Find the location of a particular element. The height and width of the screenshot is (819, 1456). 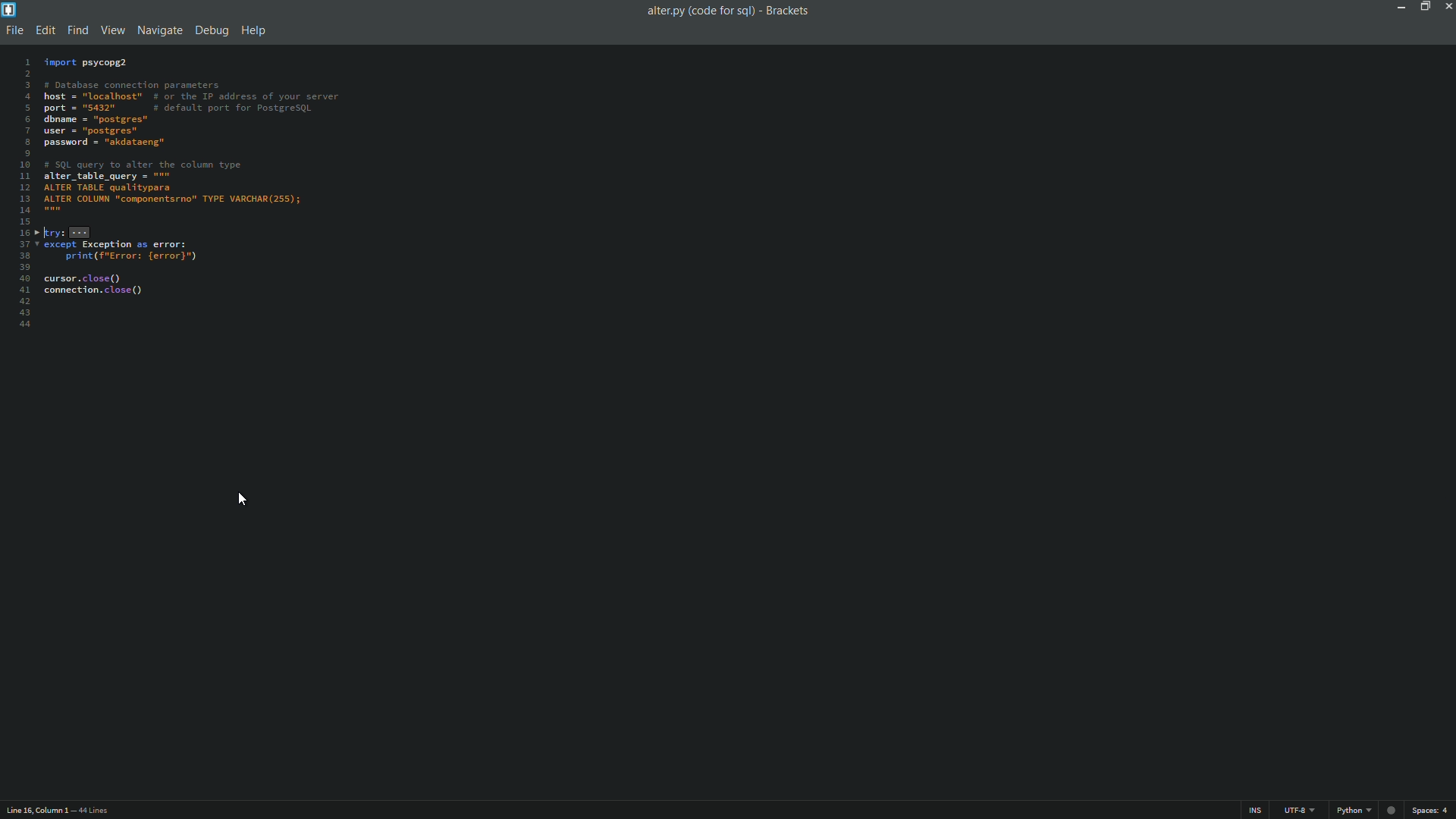

space is located at coordinates (1433, 811).